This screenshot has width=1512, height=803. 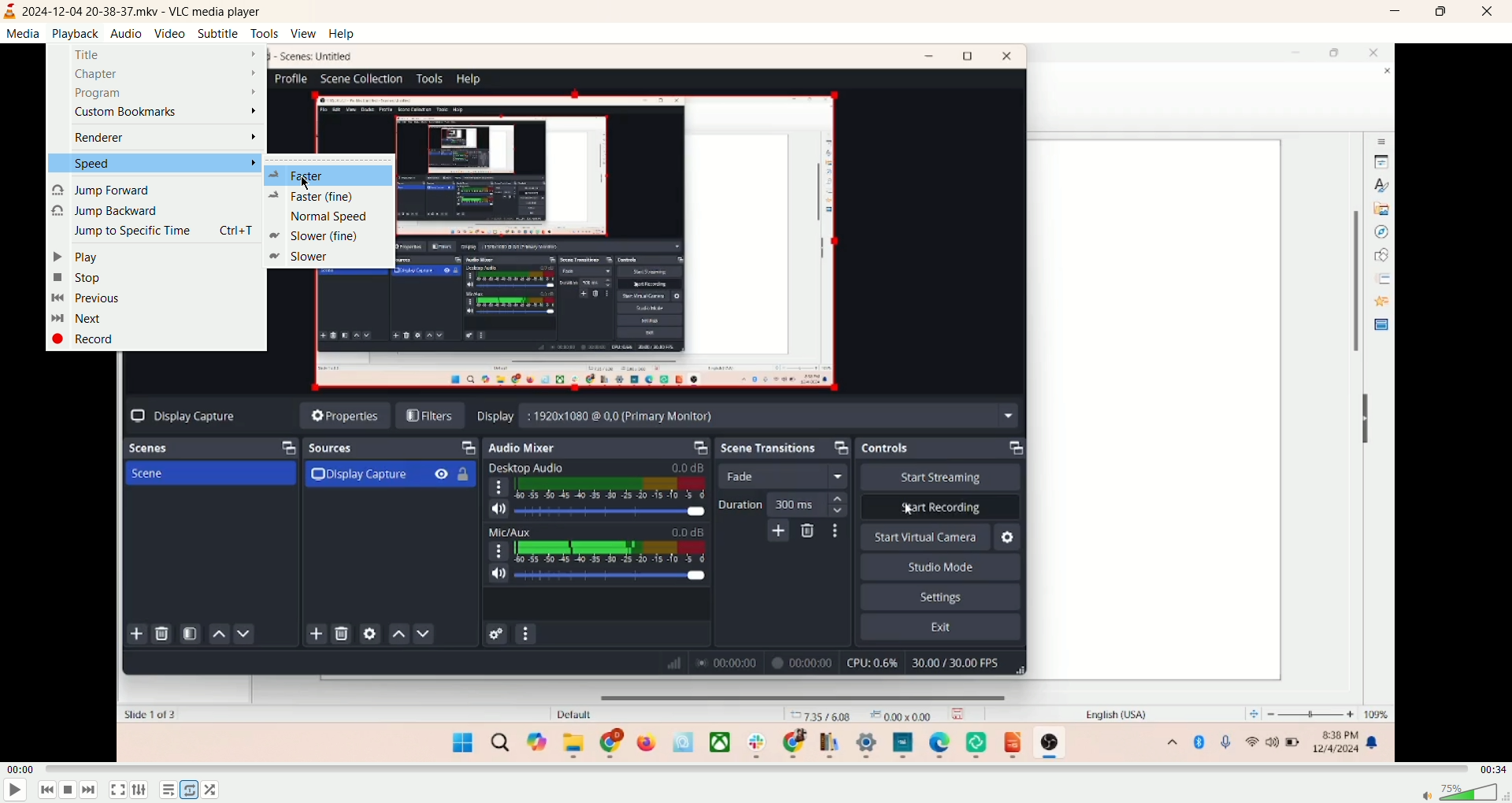 What do you see at coordinates (298, 176) in the screenshot?
I see `faster` at bounding box center [298, 176].